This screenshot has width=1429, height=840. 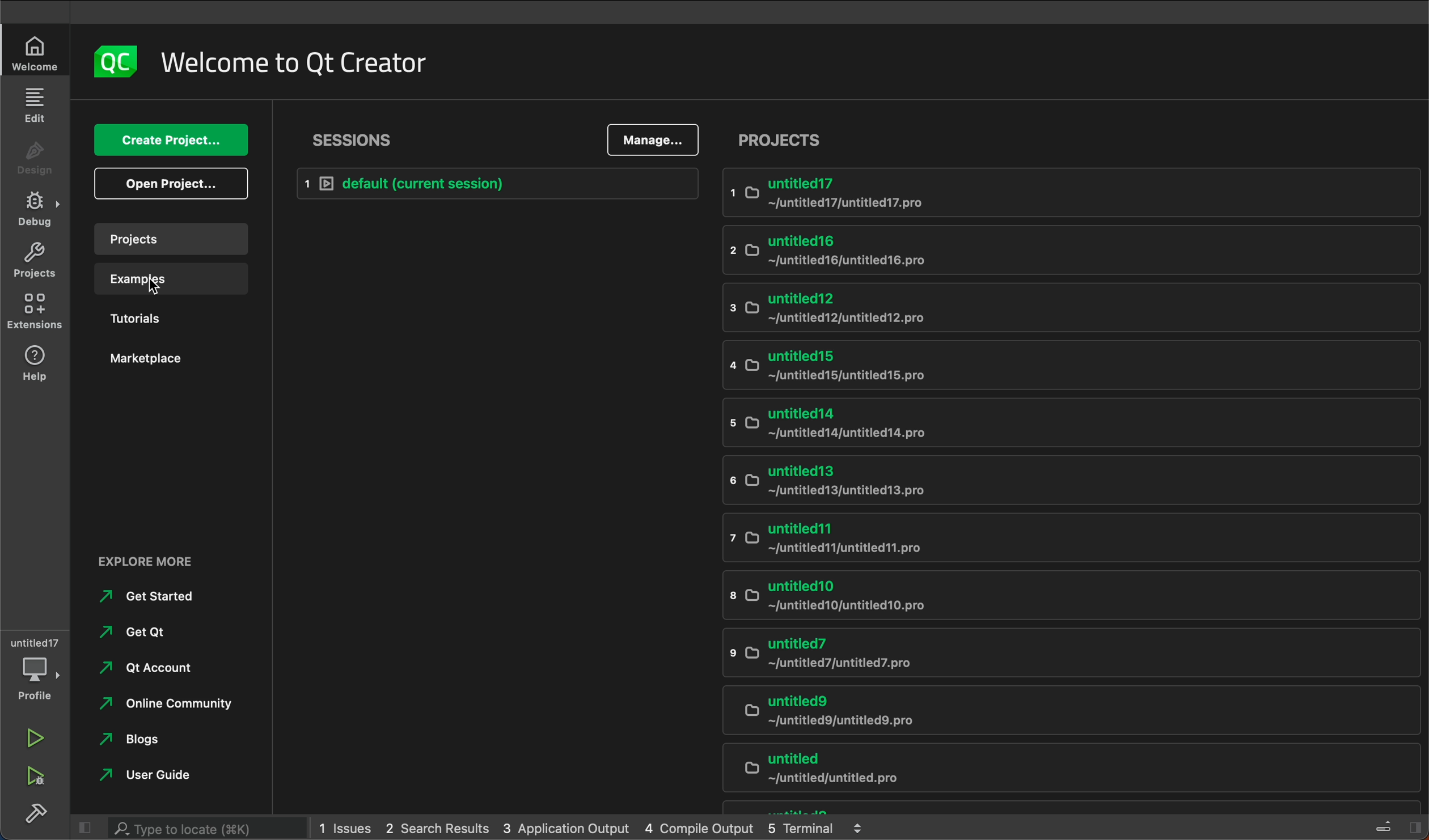 What do you see at coordinates (39, 811) in the screenshot?
I see `build` at bounding box center [39, 811].